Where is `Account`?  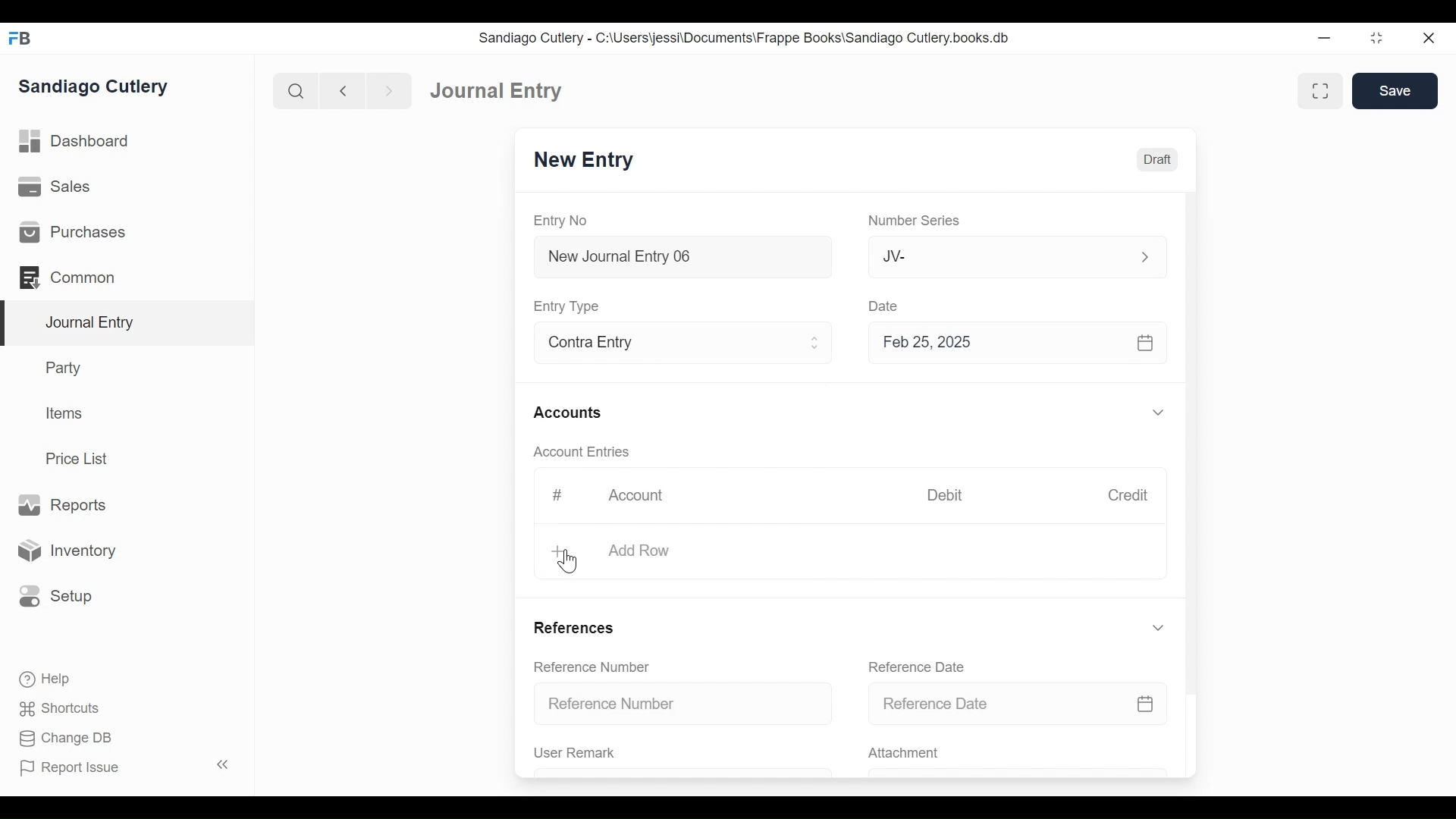 Account is located at coordinates (646, 500).